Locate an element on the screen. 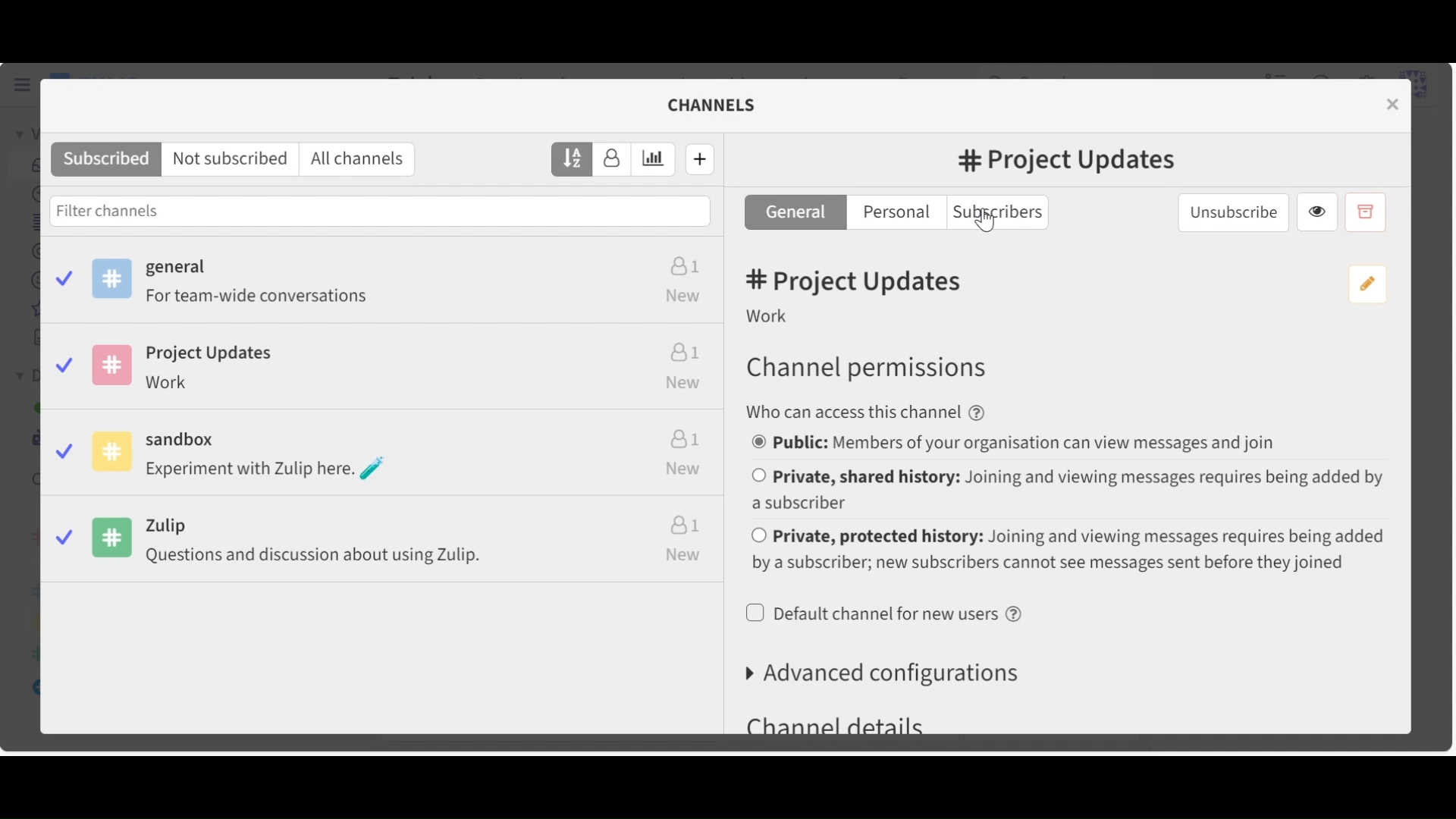  General is located at coordinates (384, 278).